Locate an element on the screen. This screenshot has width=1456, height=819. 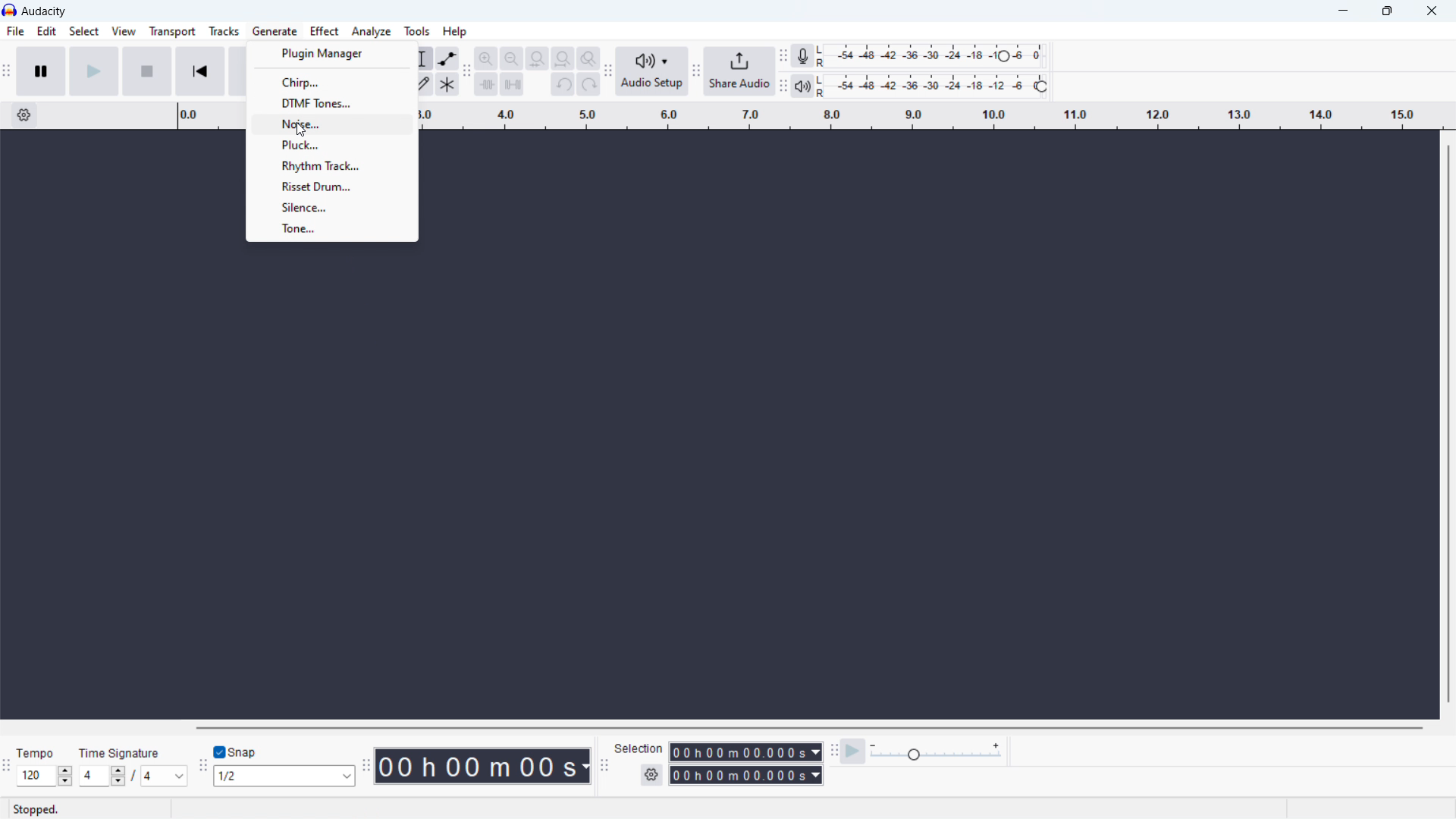
play is located at coordinates (94, 71).